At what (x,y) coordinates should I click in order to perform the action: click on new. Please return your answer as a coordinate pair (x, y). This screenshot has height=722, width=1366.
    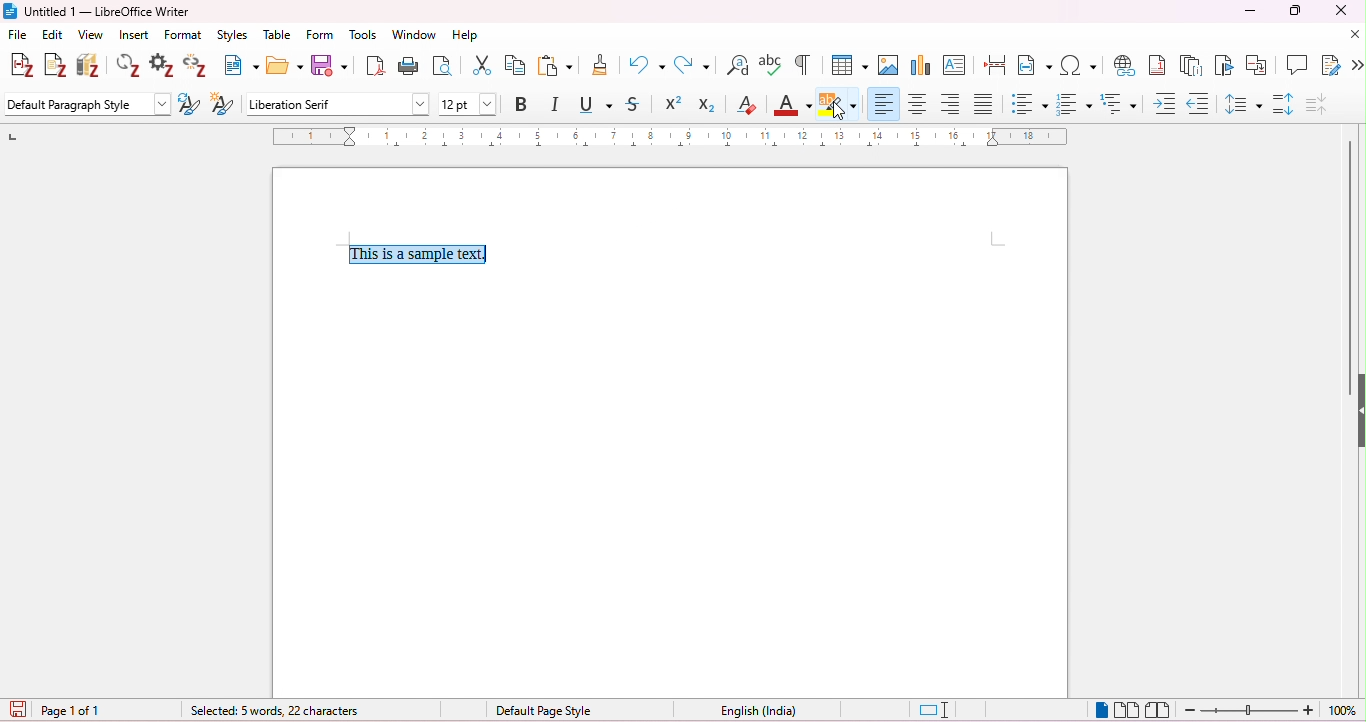
    Looking at the image, I should click on (242, 66).